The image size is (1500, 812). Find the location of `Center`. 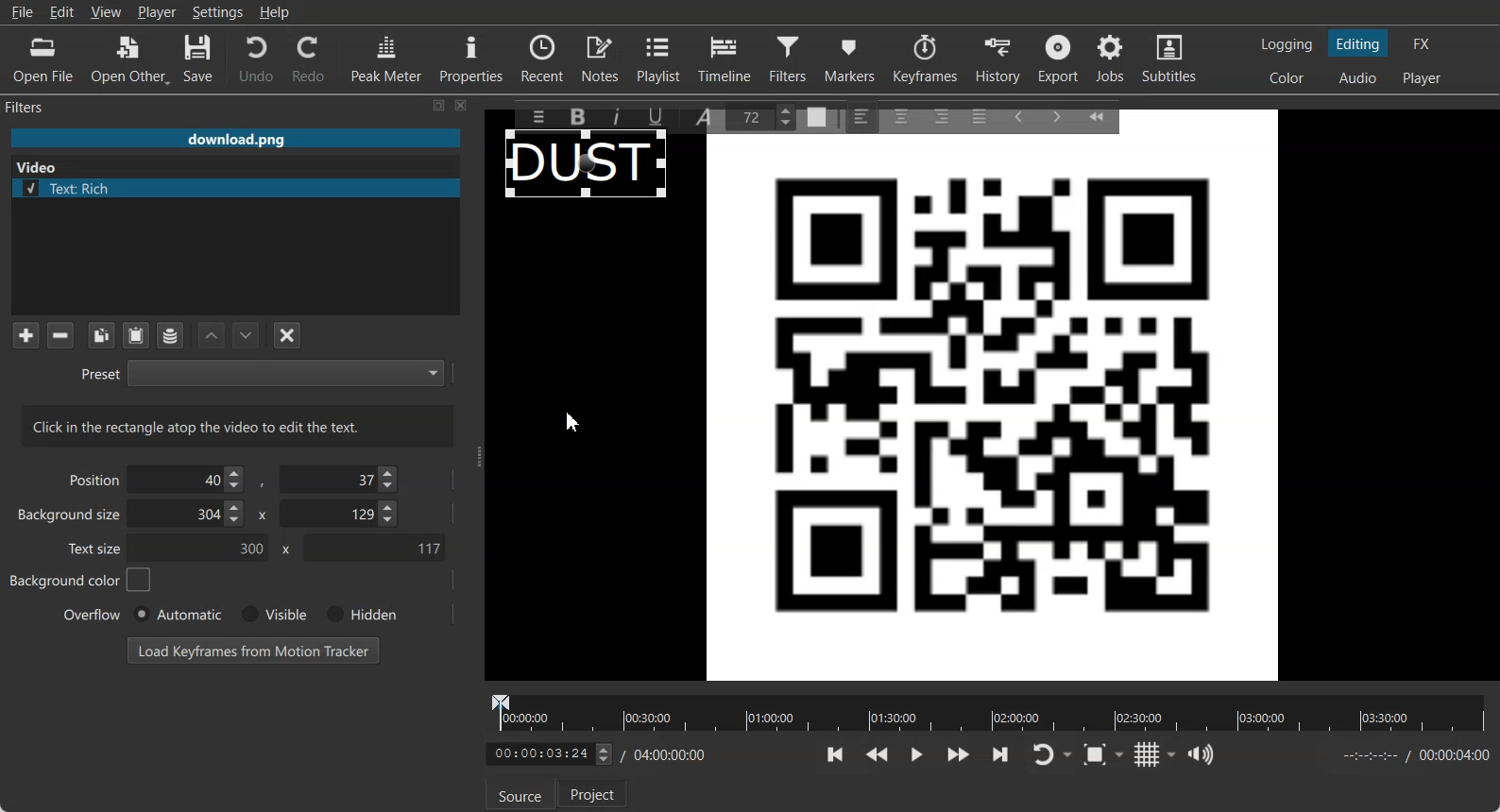

Center is located at coordinates (903, 115).